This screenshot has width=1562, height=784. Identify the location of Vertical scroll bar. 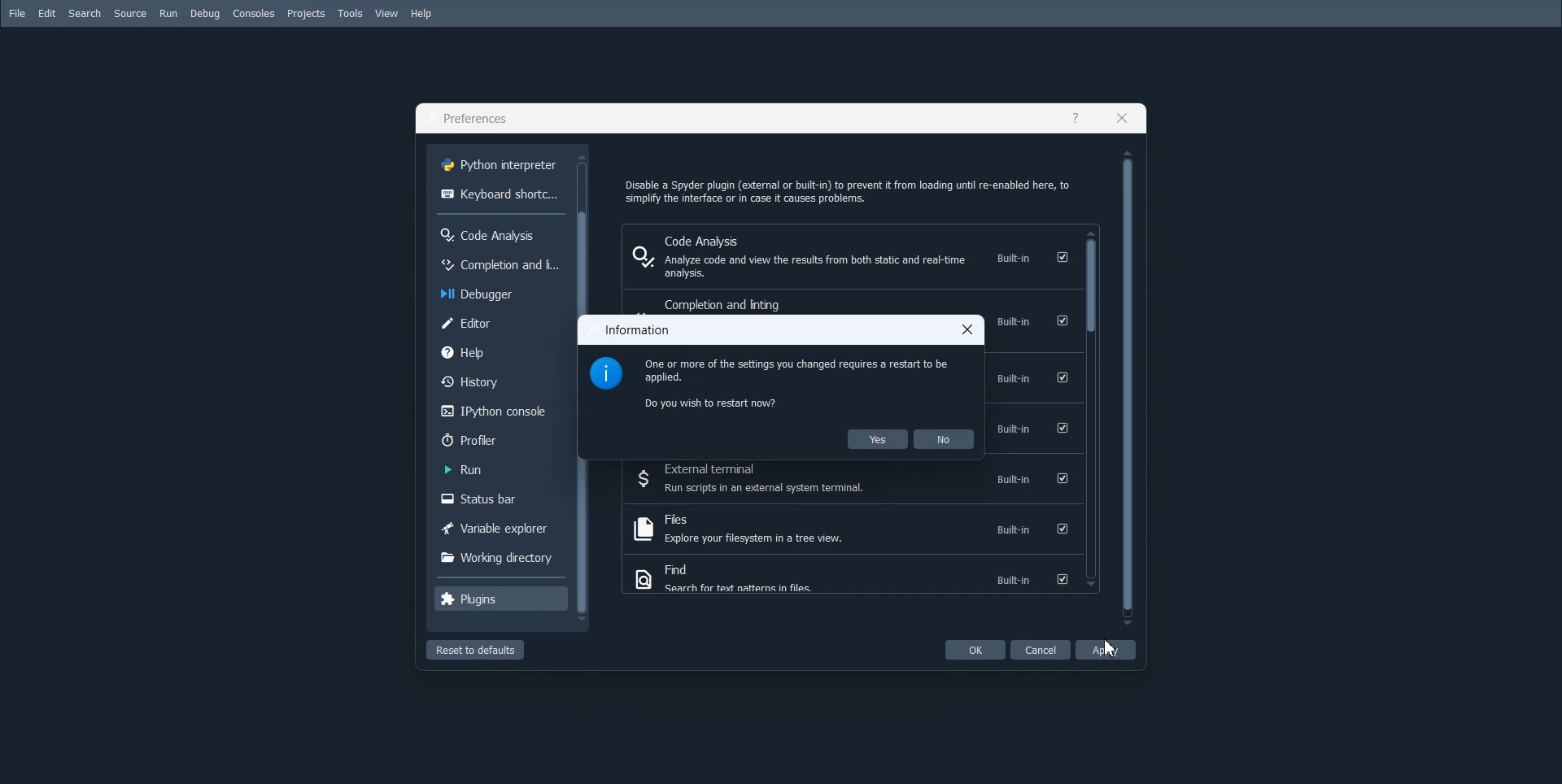
(582, 389).